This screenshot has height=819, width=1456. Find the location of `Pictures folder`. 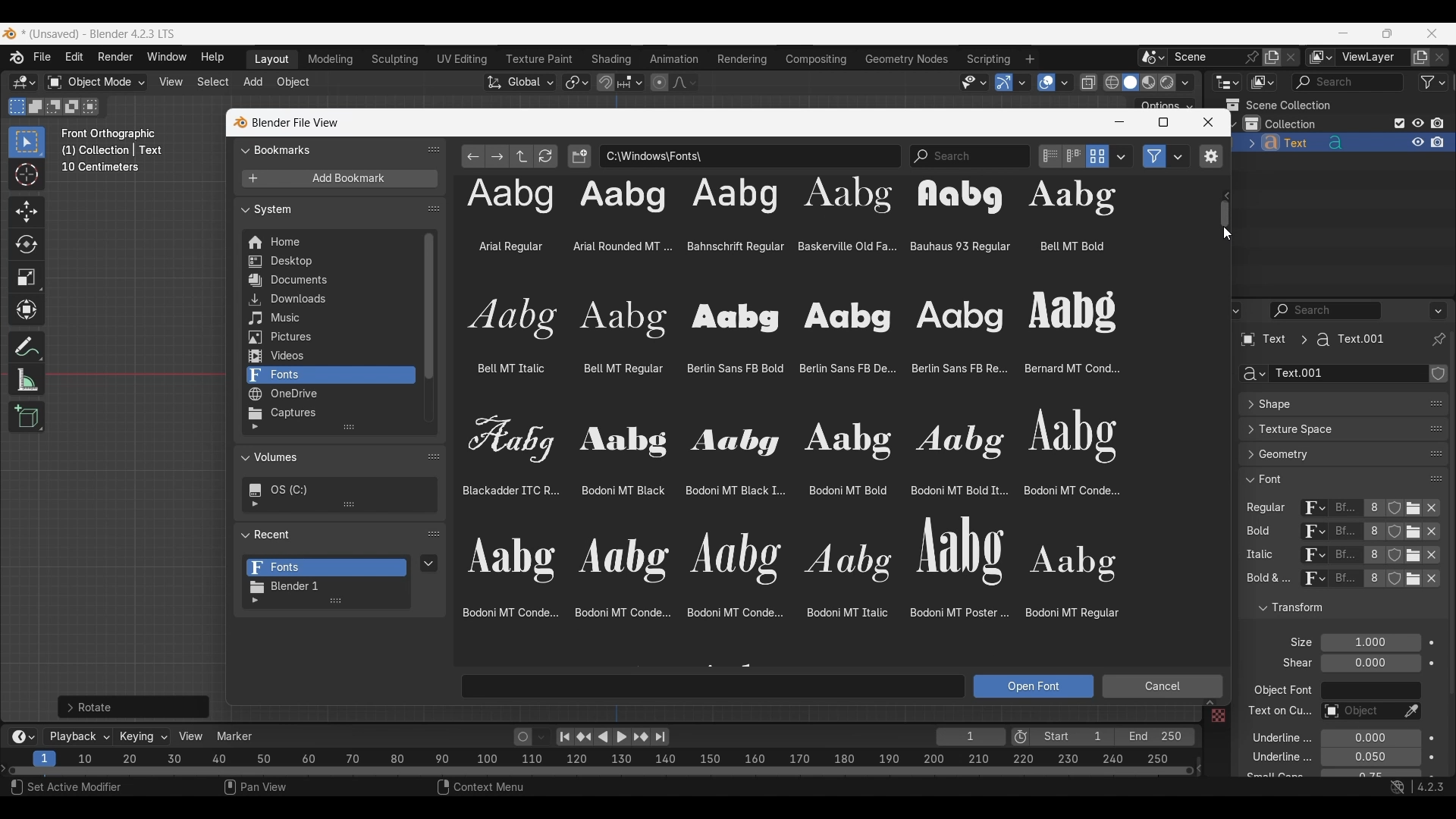

Pictures folder is located at coordinates (329, 337).